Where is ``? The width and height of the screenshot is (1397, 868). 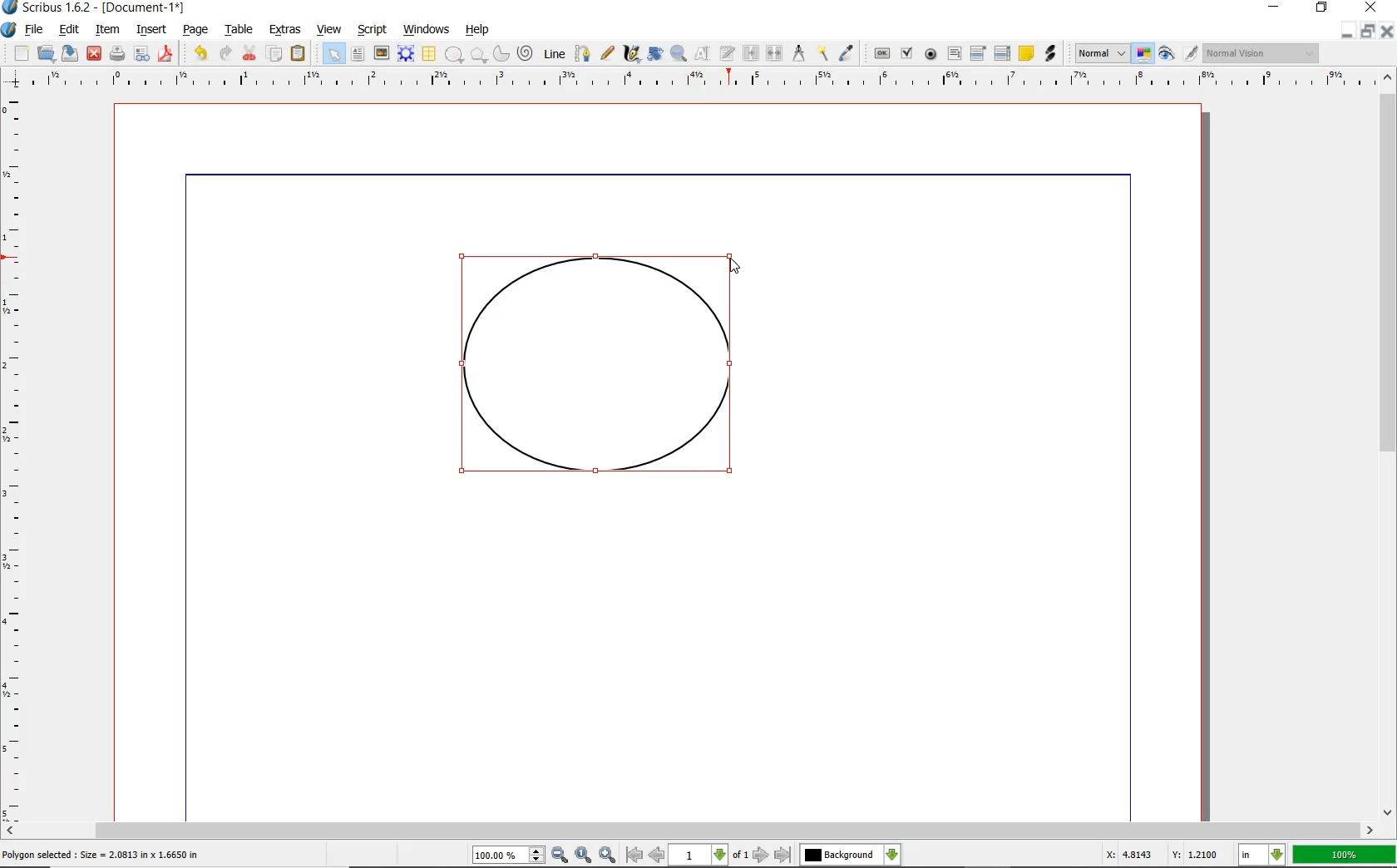
 is located at coordinates (840, 855).